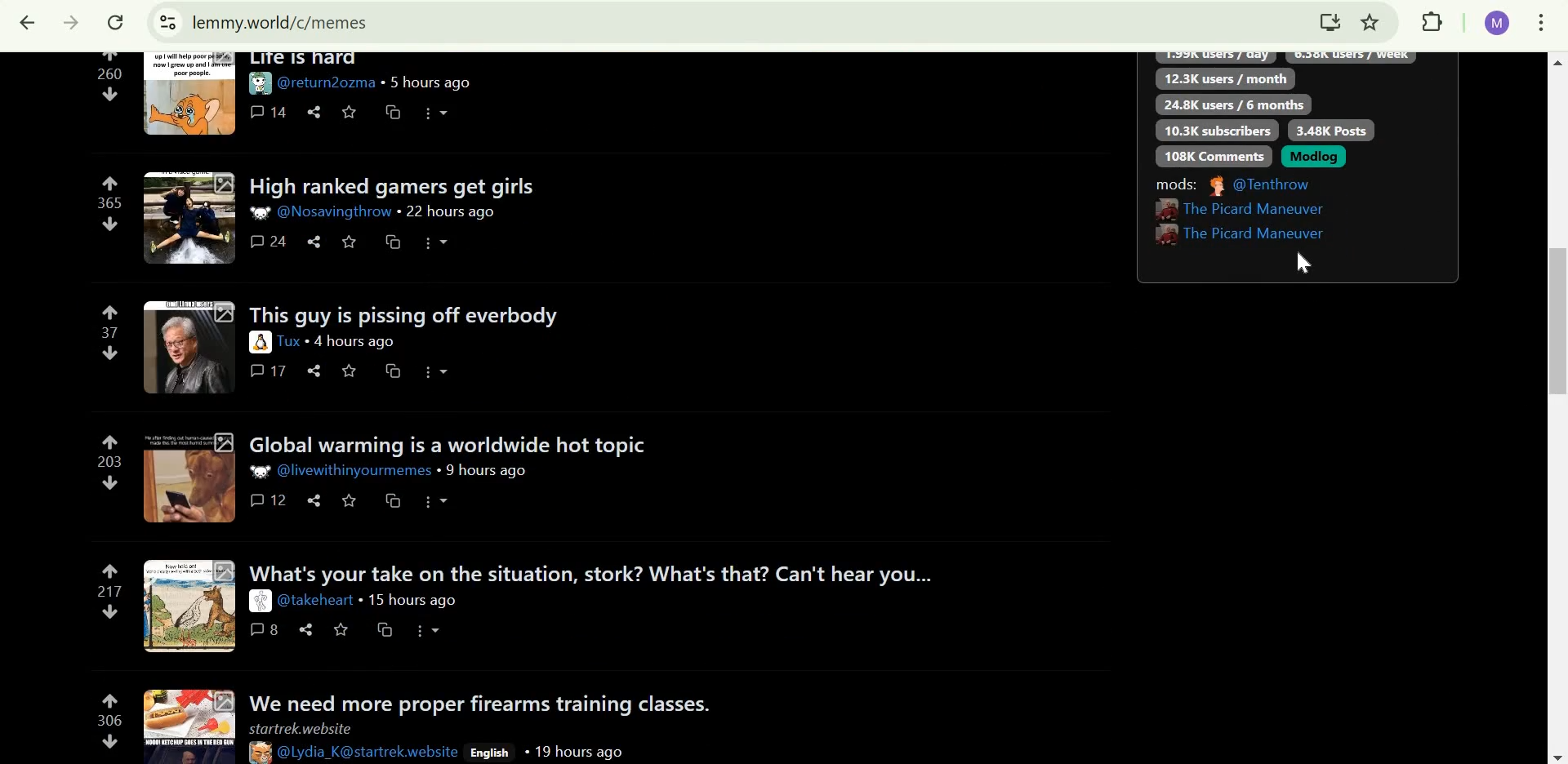 The height and width of the screenshot is (764, 1568). I want to click on 8 comments, so click(266, 630).